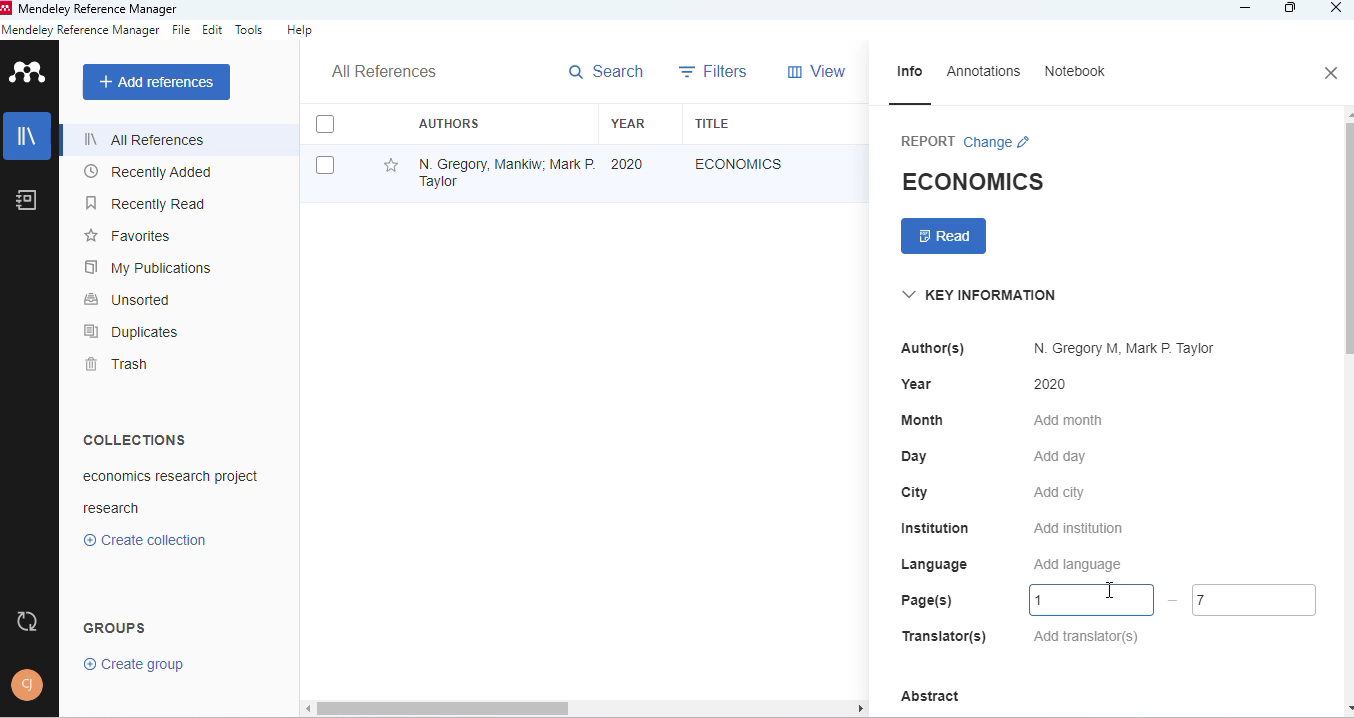  Describe the element at coordinates (985, 71) in the screenshot. I see `annotaions` at that location.